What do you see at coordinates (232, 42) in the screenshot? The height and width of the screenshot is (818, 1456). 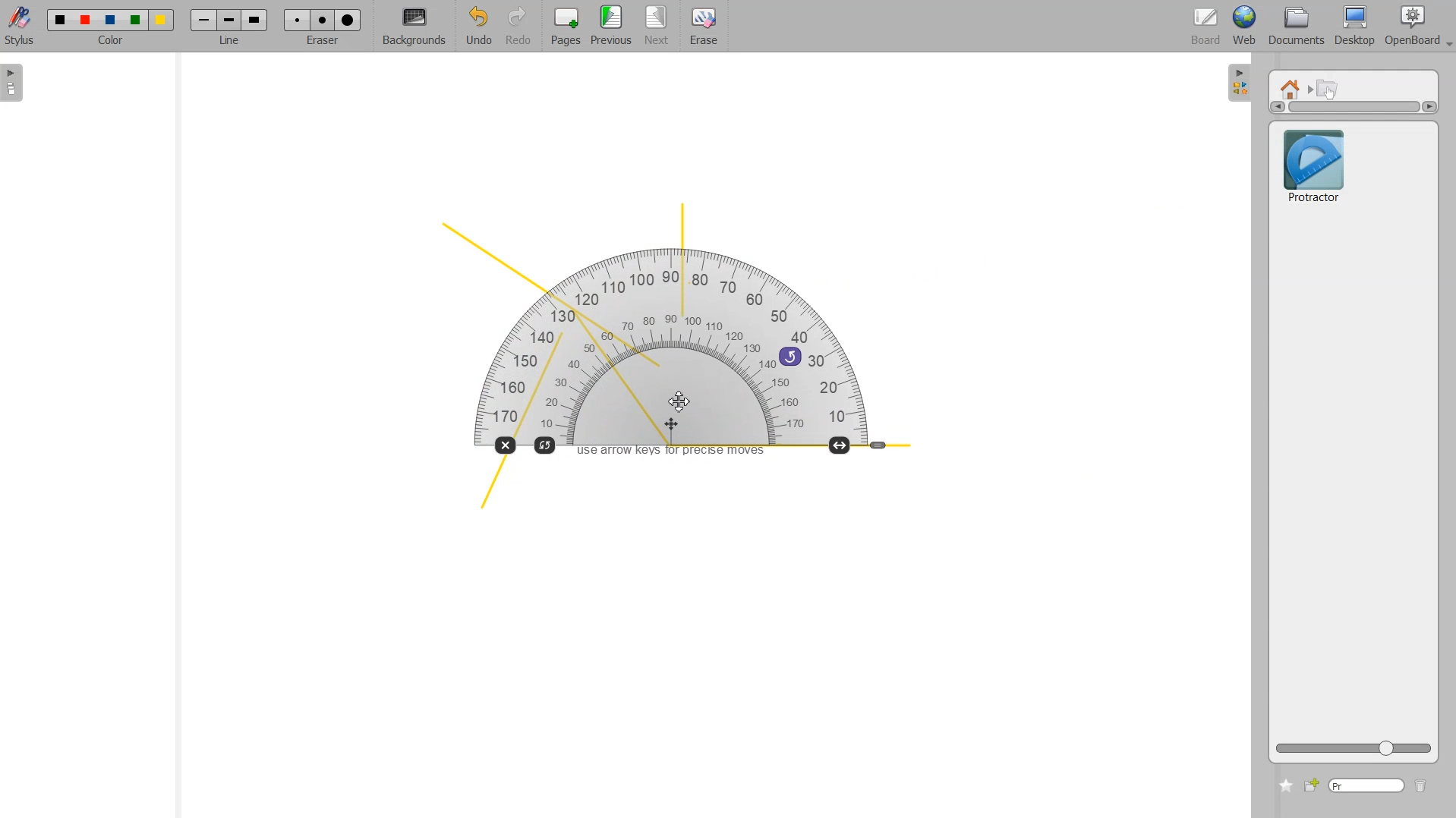 I see `line` at bounding box center [232, 42].